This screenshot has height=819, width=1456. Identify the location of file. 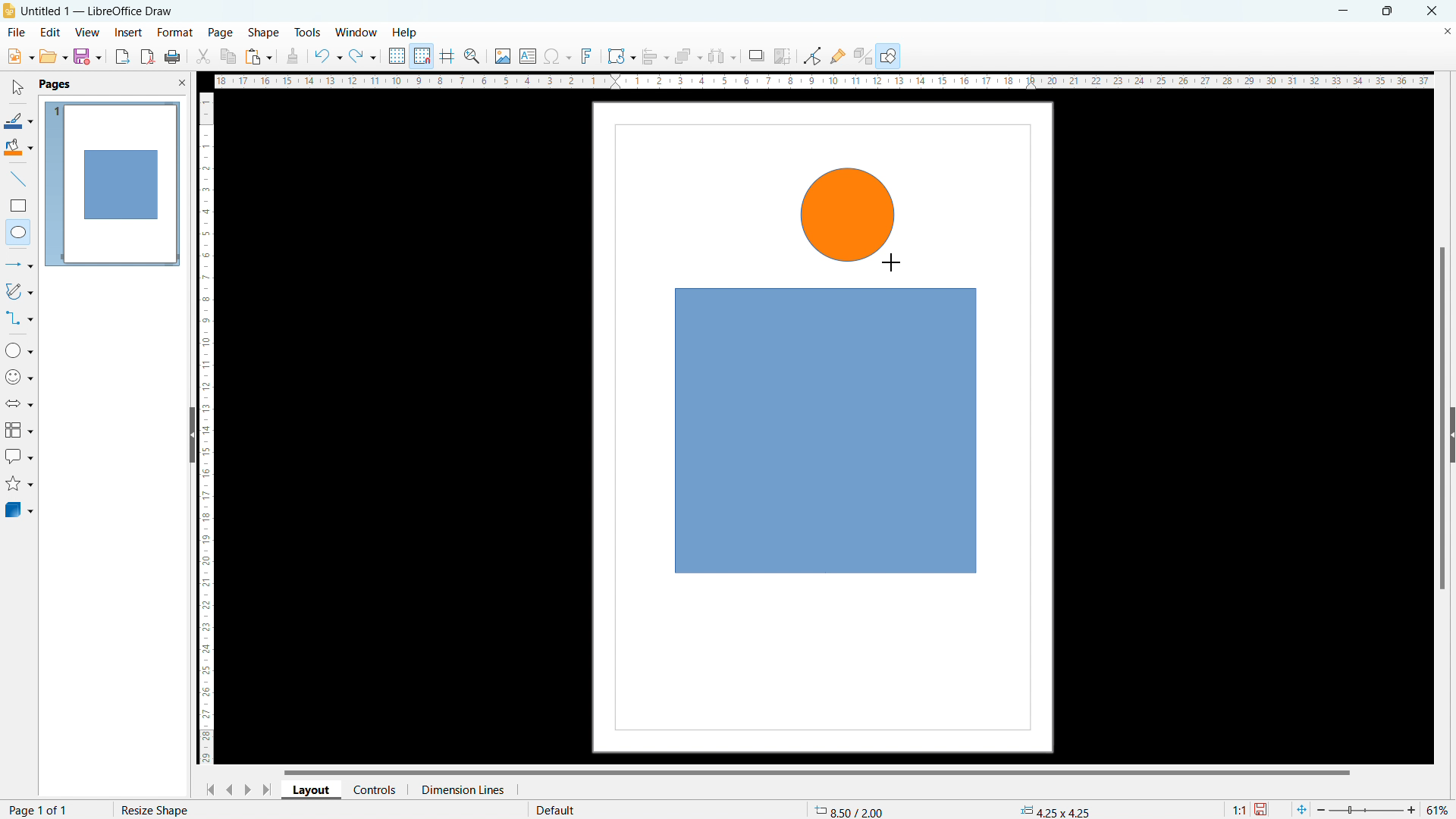
(15, 33).